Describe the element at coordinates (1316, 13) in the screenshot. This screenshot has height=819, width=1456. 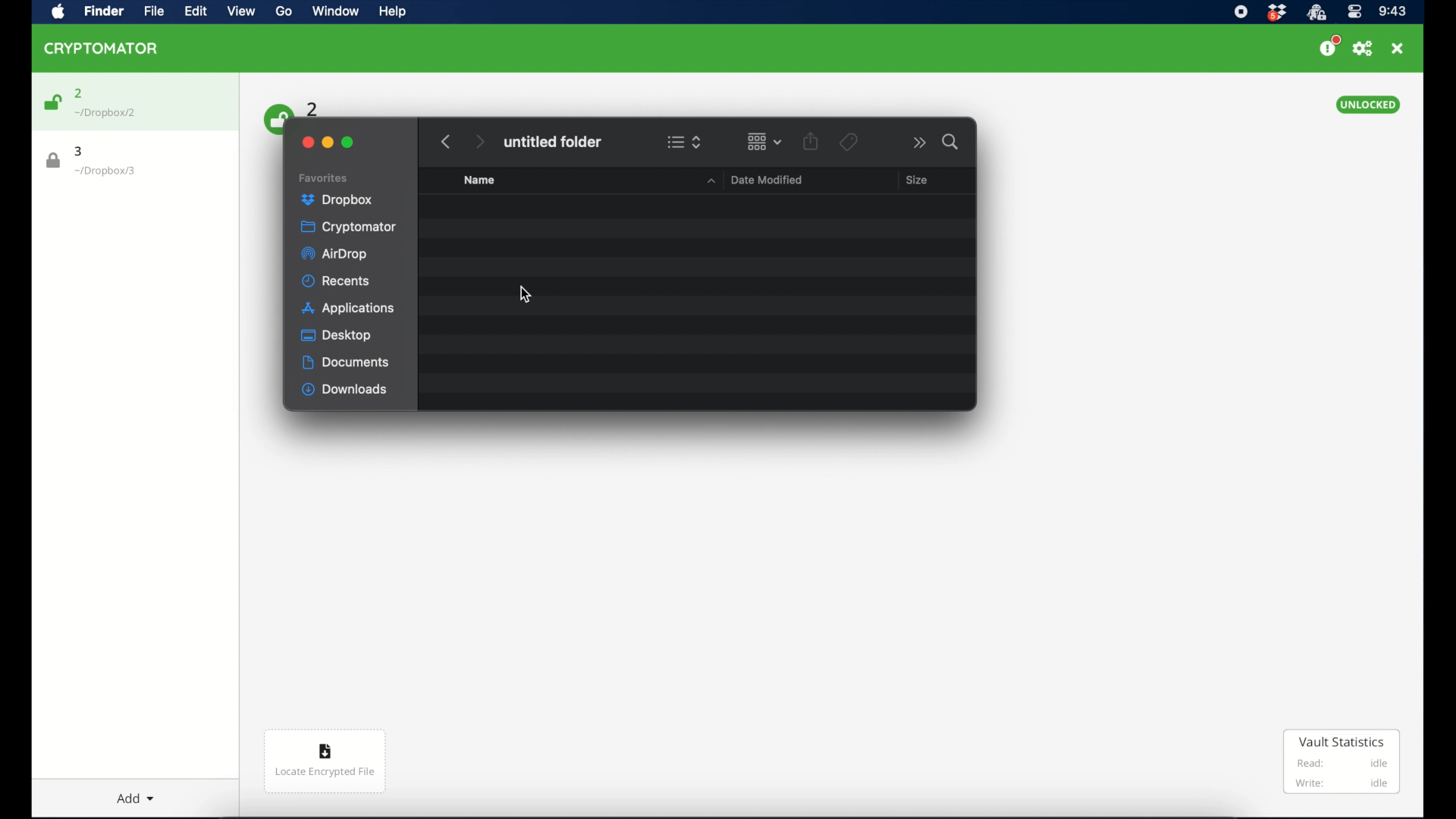
I see `cryptomator icon` at that location.